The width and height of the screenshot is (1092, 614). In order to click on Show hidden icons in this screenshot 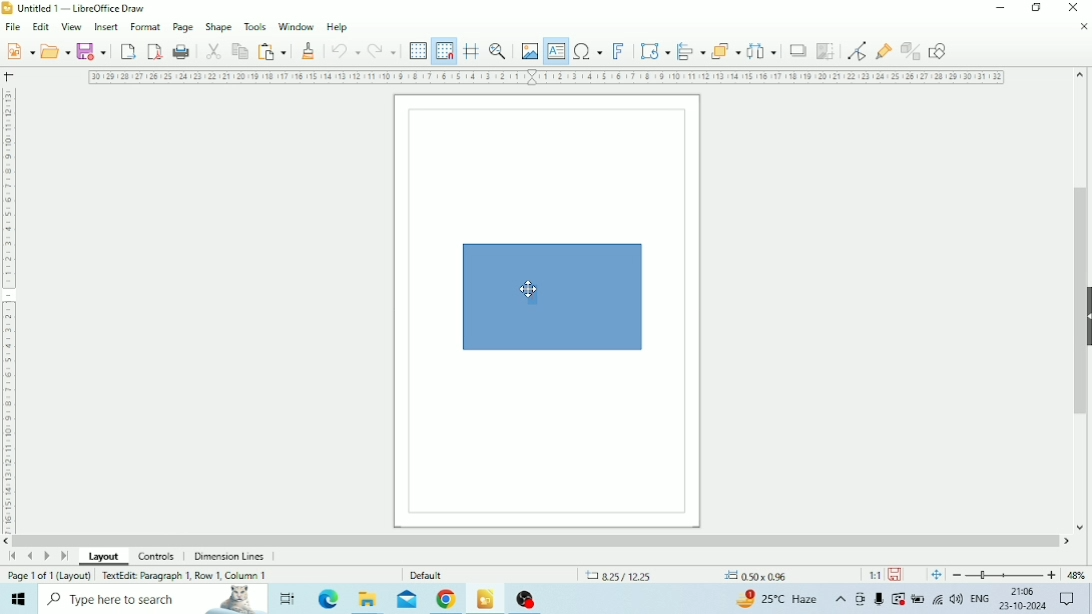, I will do `click(841, 599)`.